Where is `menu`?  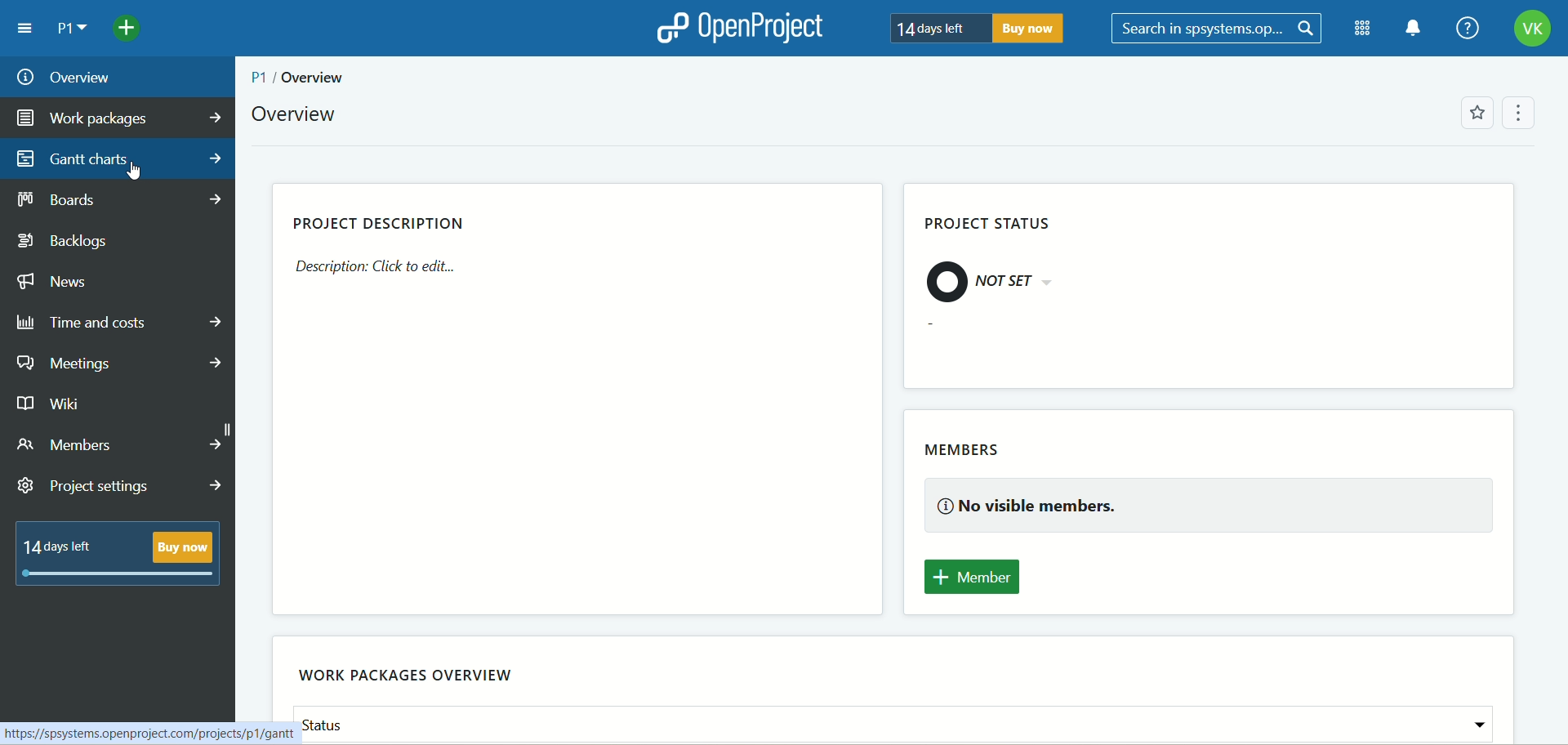
menu is located at coordinates (1526, 112).